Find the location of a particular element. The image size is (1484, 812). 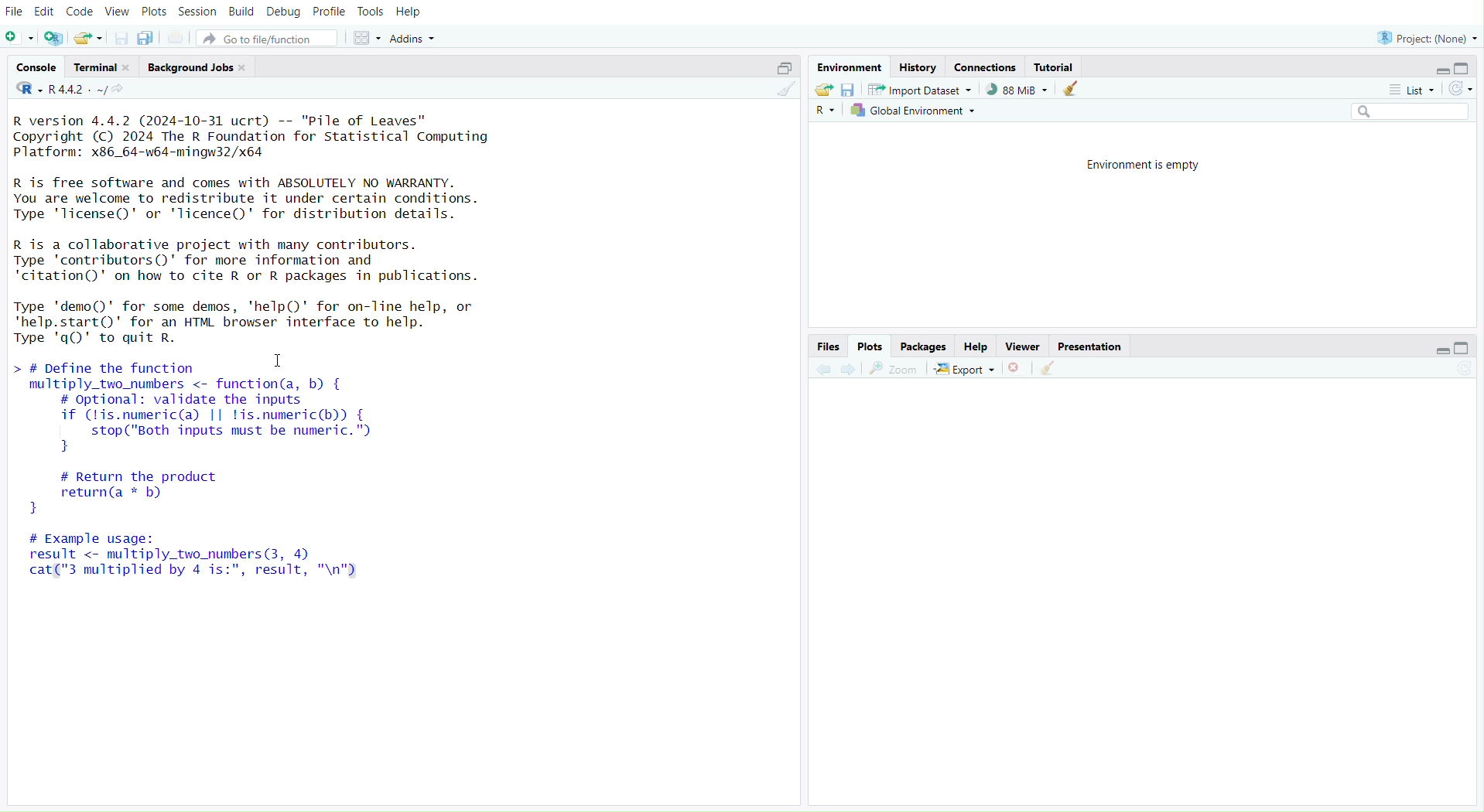

> # Define the function B

multiply _two_nunbers <- function(a, b) {
# optional: validate the inputs
if (lis.numeric(a) || lis.numeric(b)) {

stop("Both inputs must be numeric."

3
# Return the product
return(a * b)

3

# Example usage:

result < multiply_two_nunbers(3, 4)

cat("3 multiplied by 4 is:", result, "\n") is located at coordinates (211, 479).